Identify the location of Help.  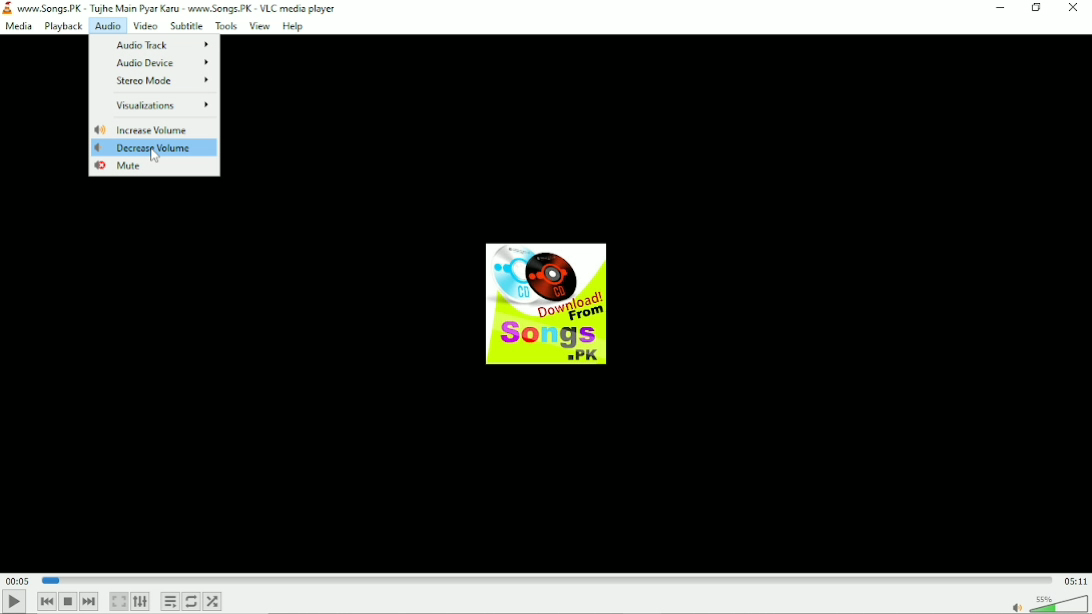
(294, 26).